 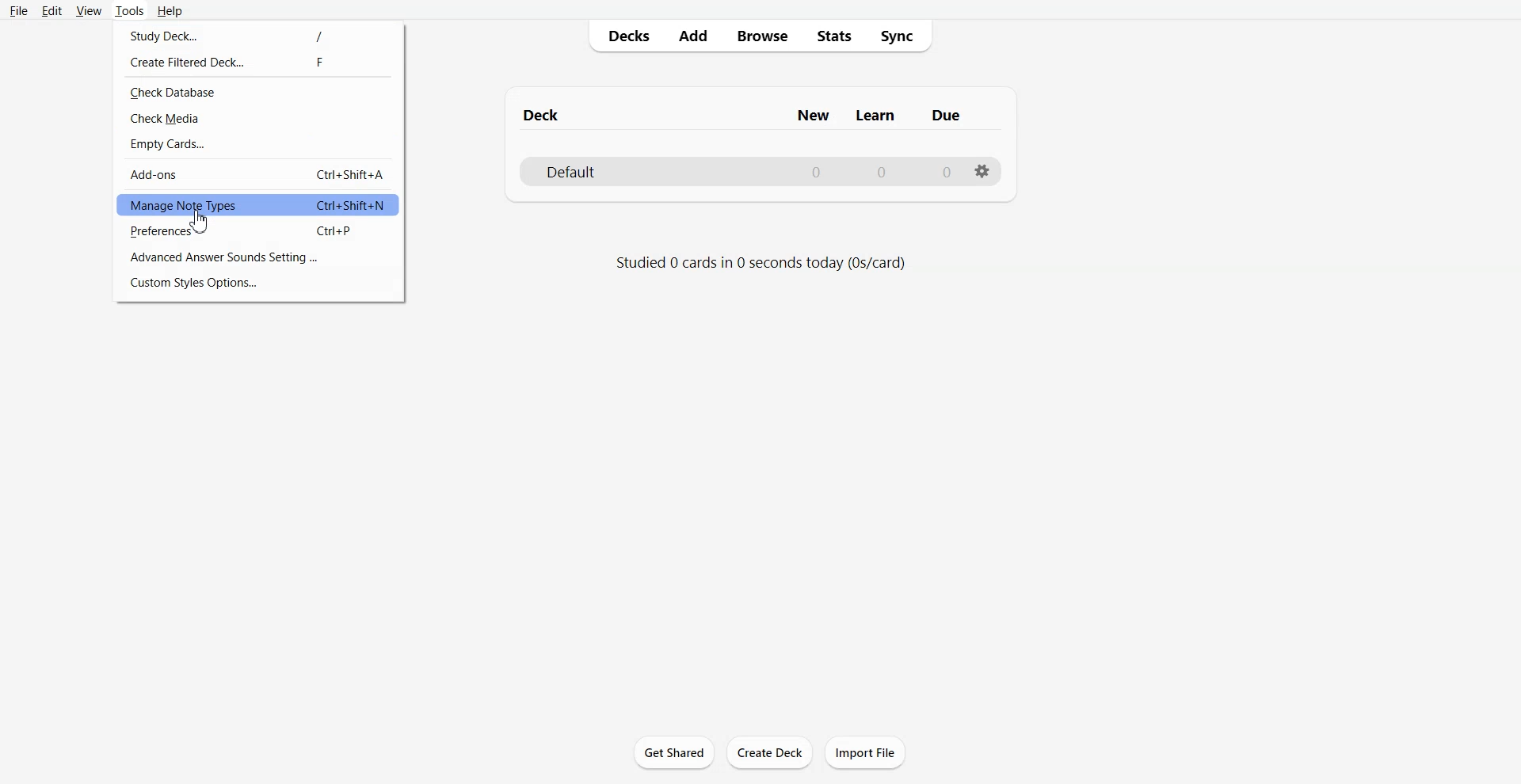 I want to click on Create Filtered Deck, so click(x=259, y=60).